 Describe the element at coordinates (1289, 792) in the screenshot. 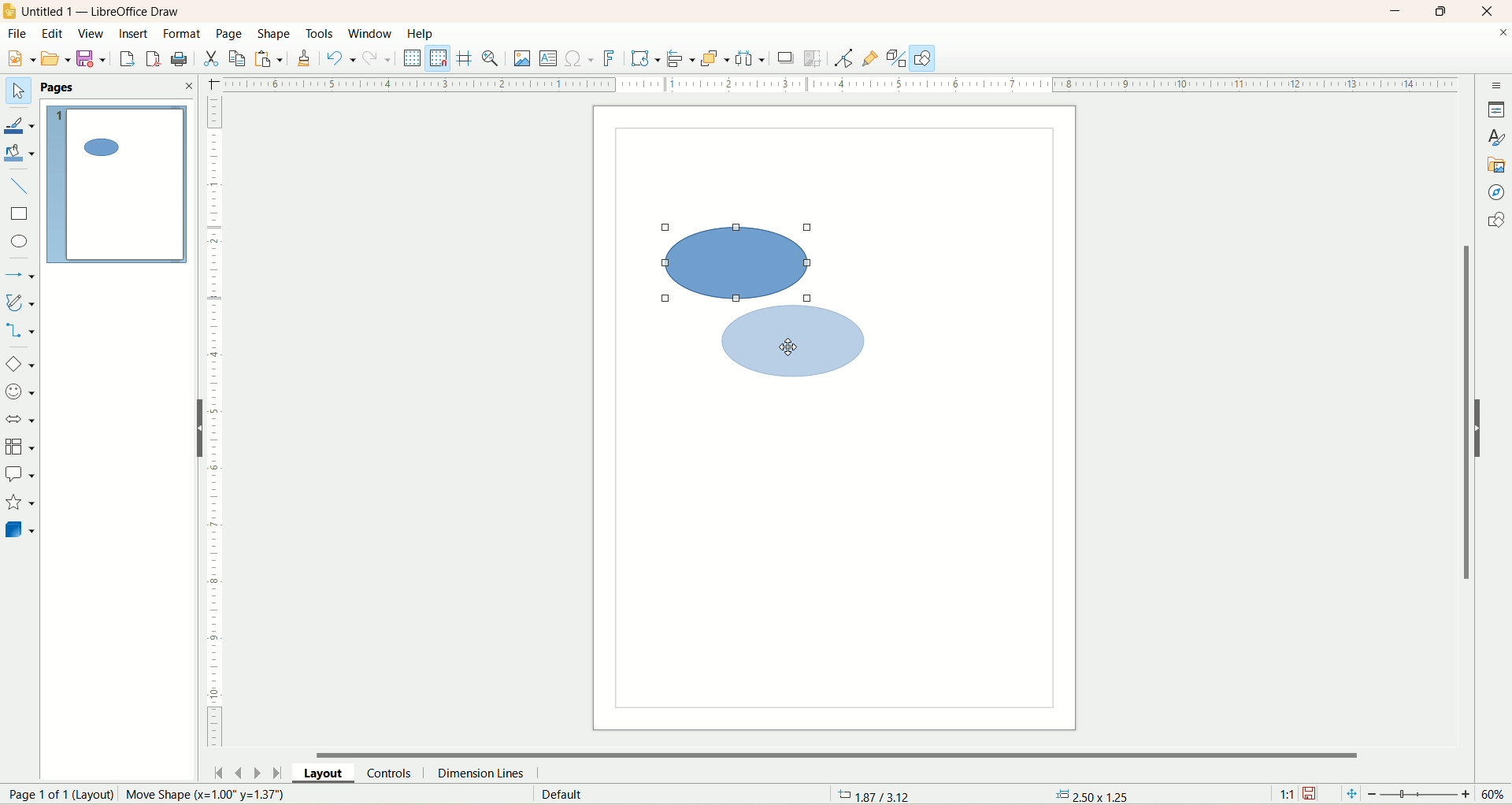

I see `scaling factor` at that location.